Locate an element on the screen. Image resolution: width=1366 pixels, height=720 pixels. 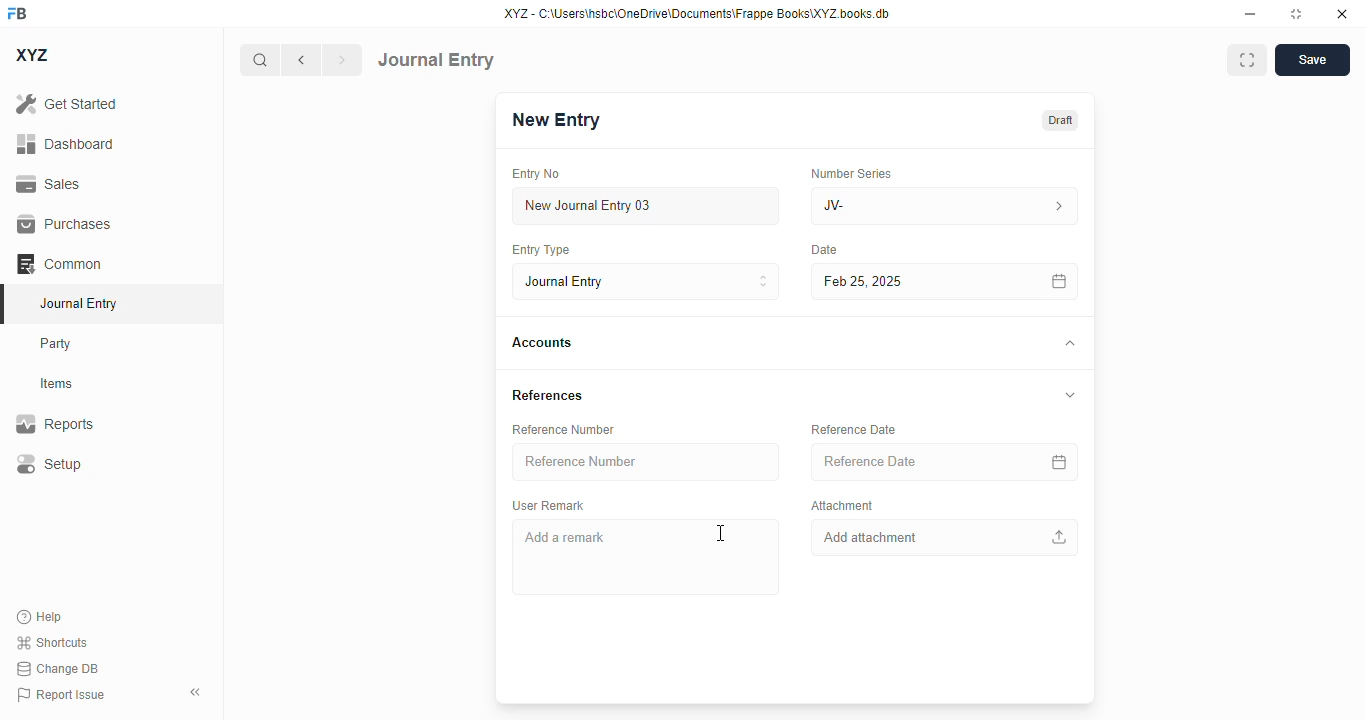
calendar icon is located at coordinates (1060, 463).